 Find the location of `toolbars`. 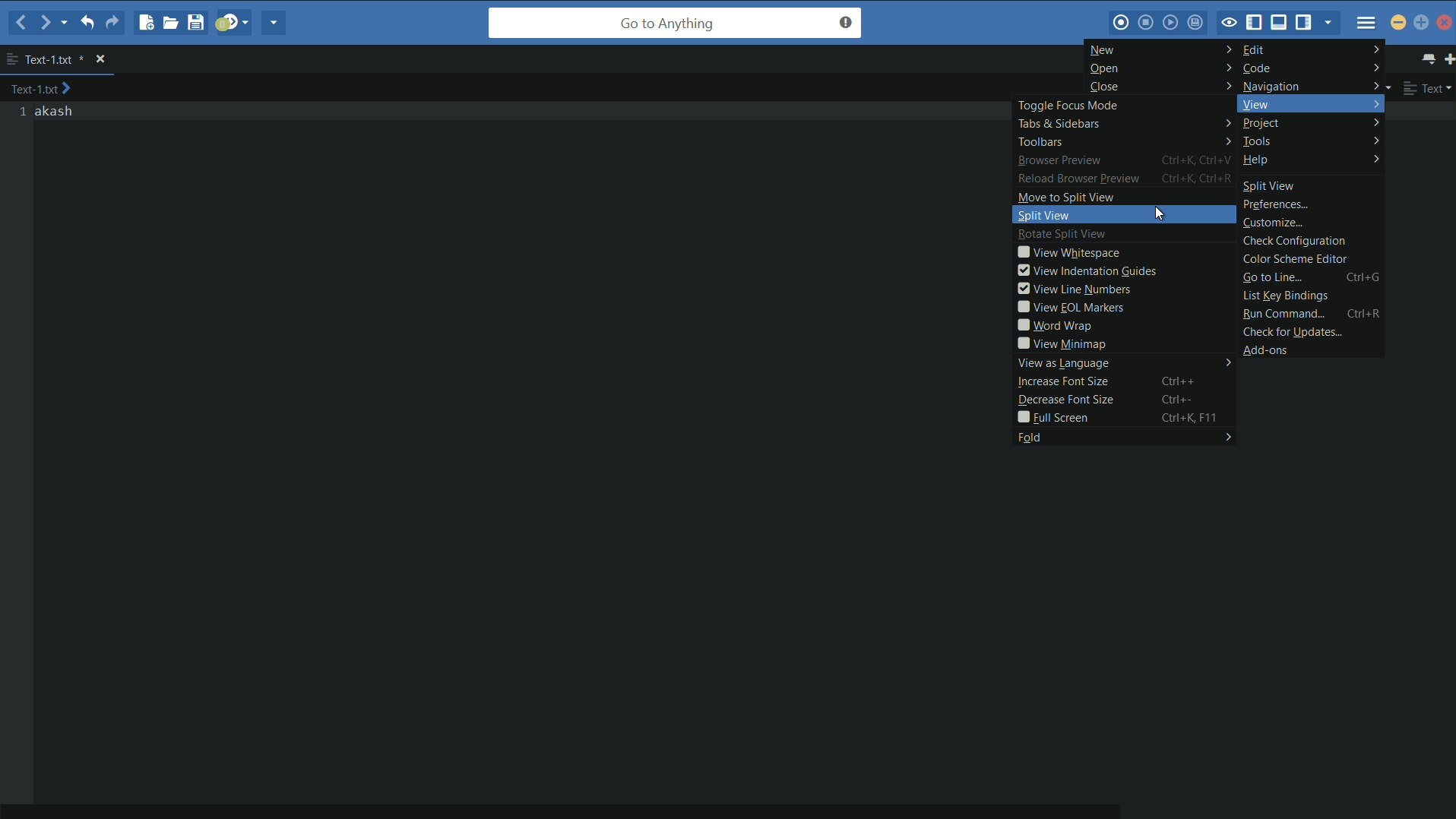

toolbars is located at coordinates (1123, 141).